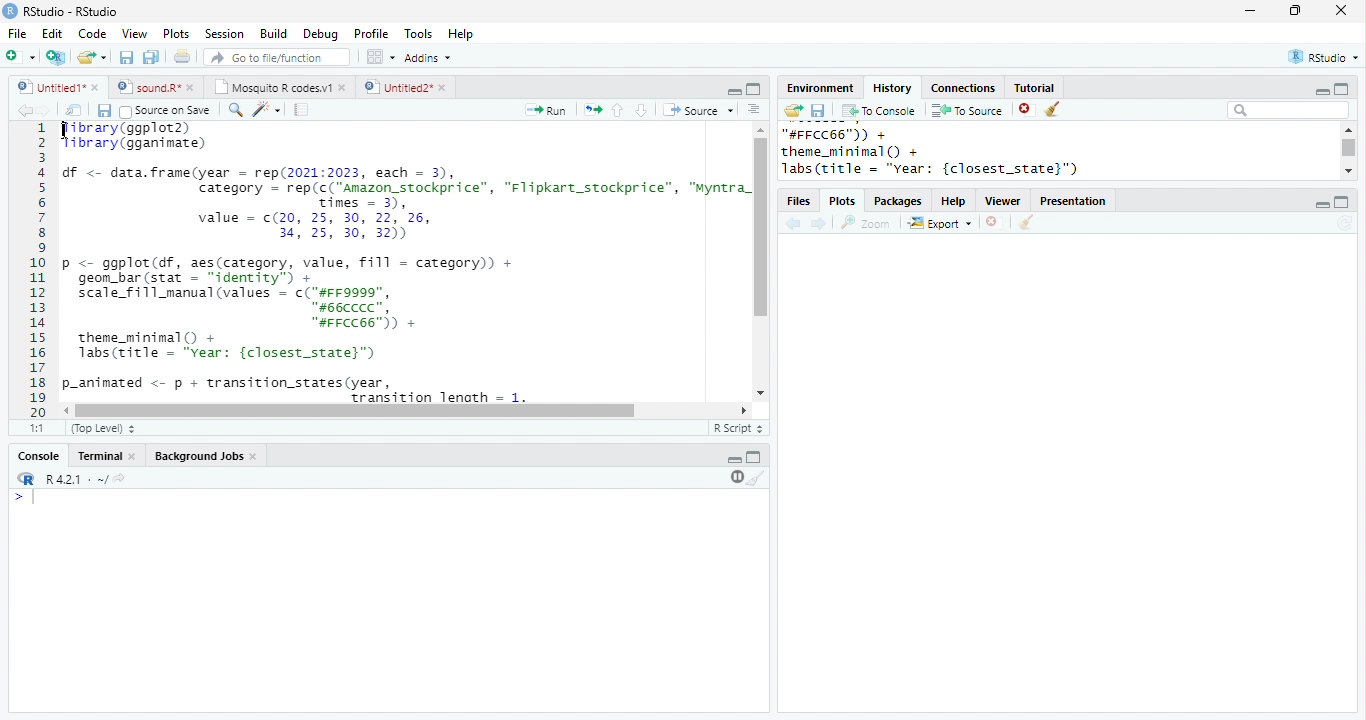 Image resolution: width=1366 pixels, height=720 pixels. What do you see at coordinates (38, 456) in the screenshot?
I see `Console` at bounding box center [38, 456].